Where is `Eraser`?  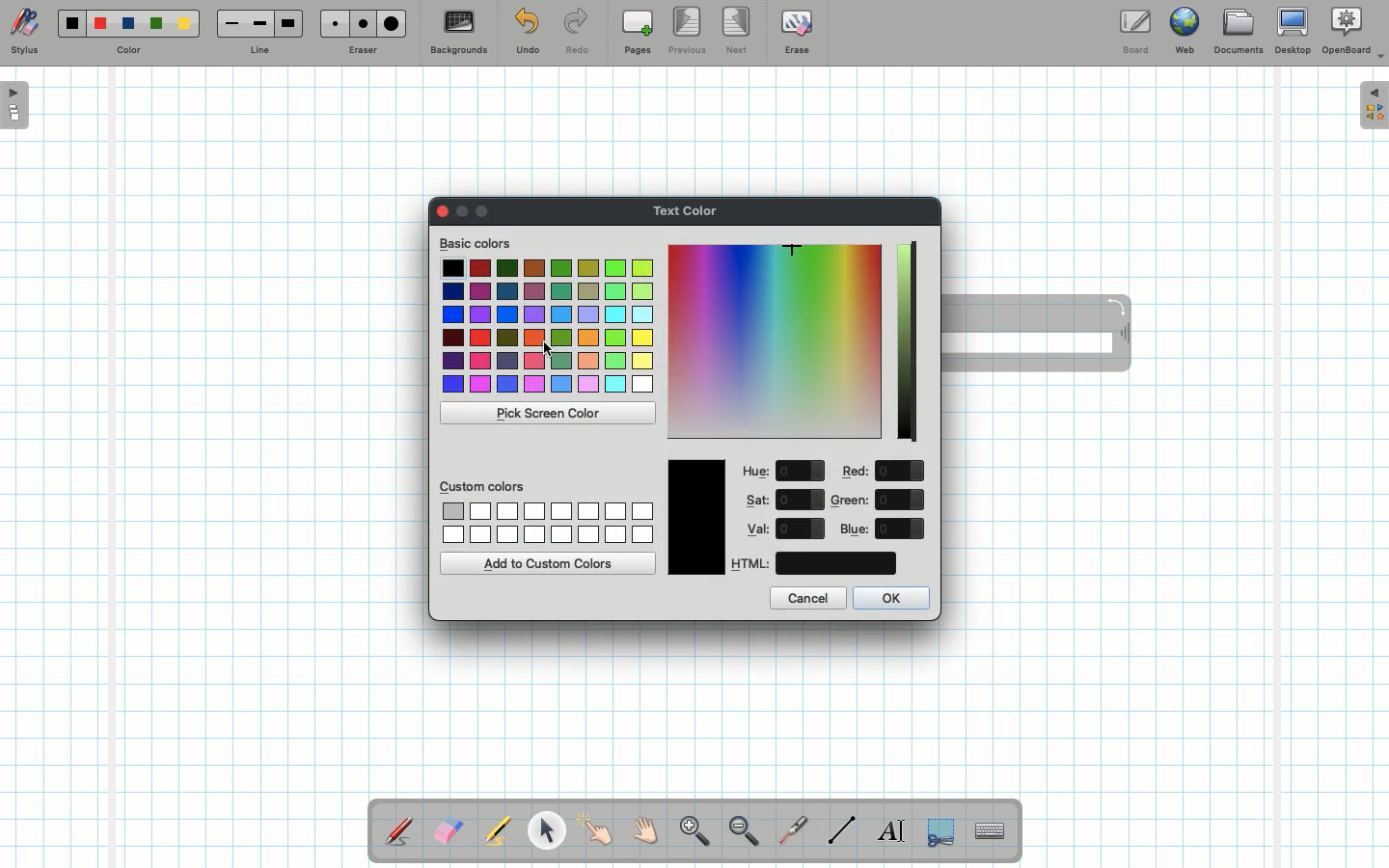
Eraser is located at coordinates (362, 52).